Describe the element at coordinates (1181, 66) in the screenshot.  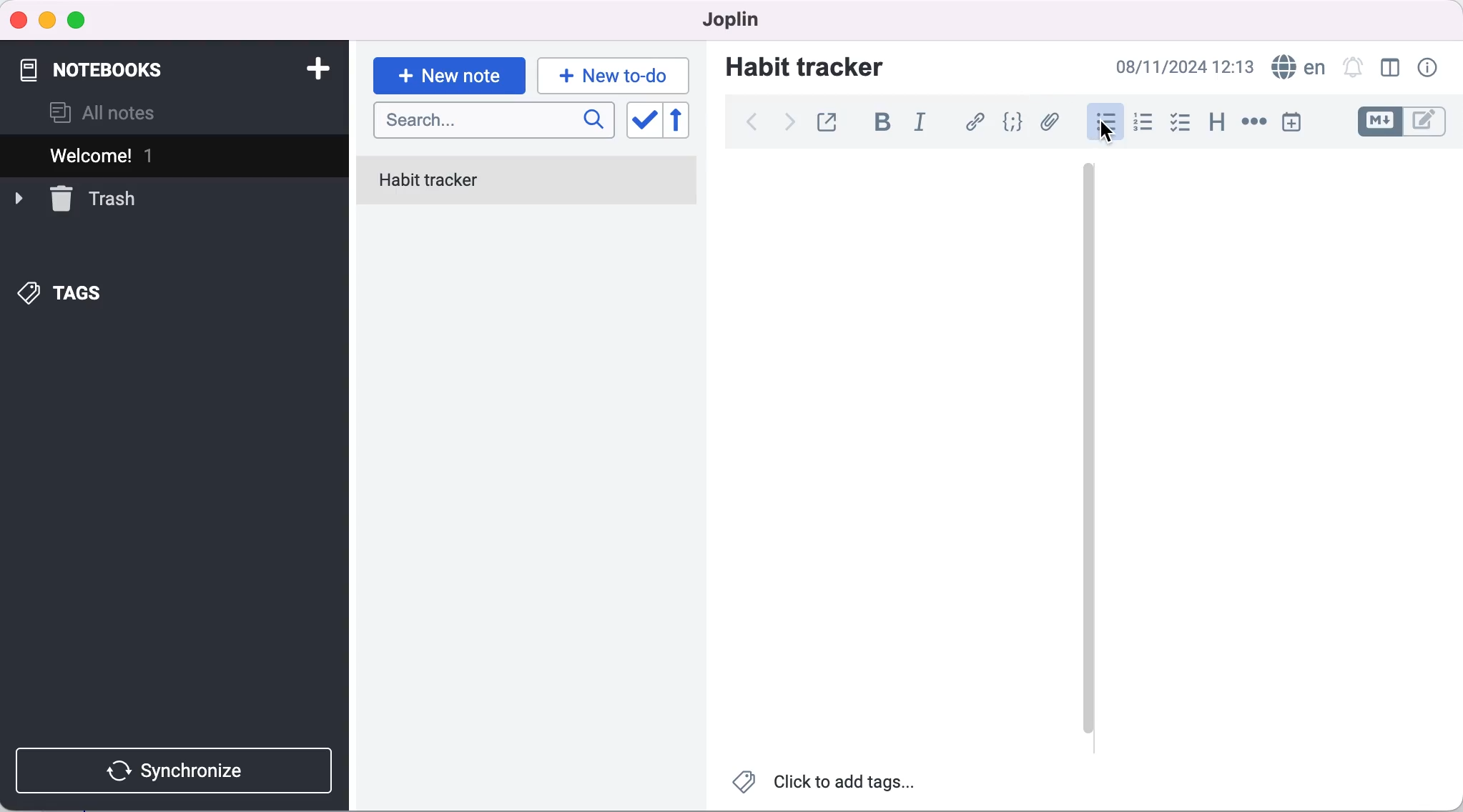
I see `08/11/2024 12:13` at that location.